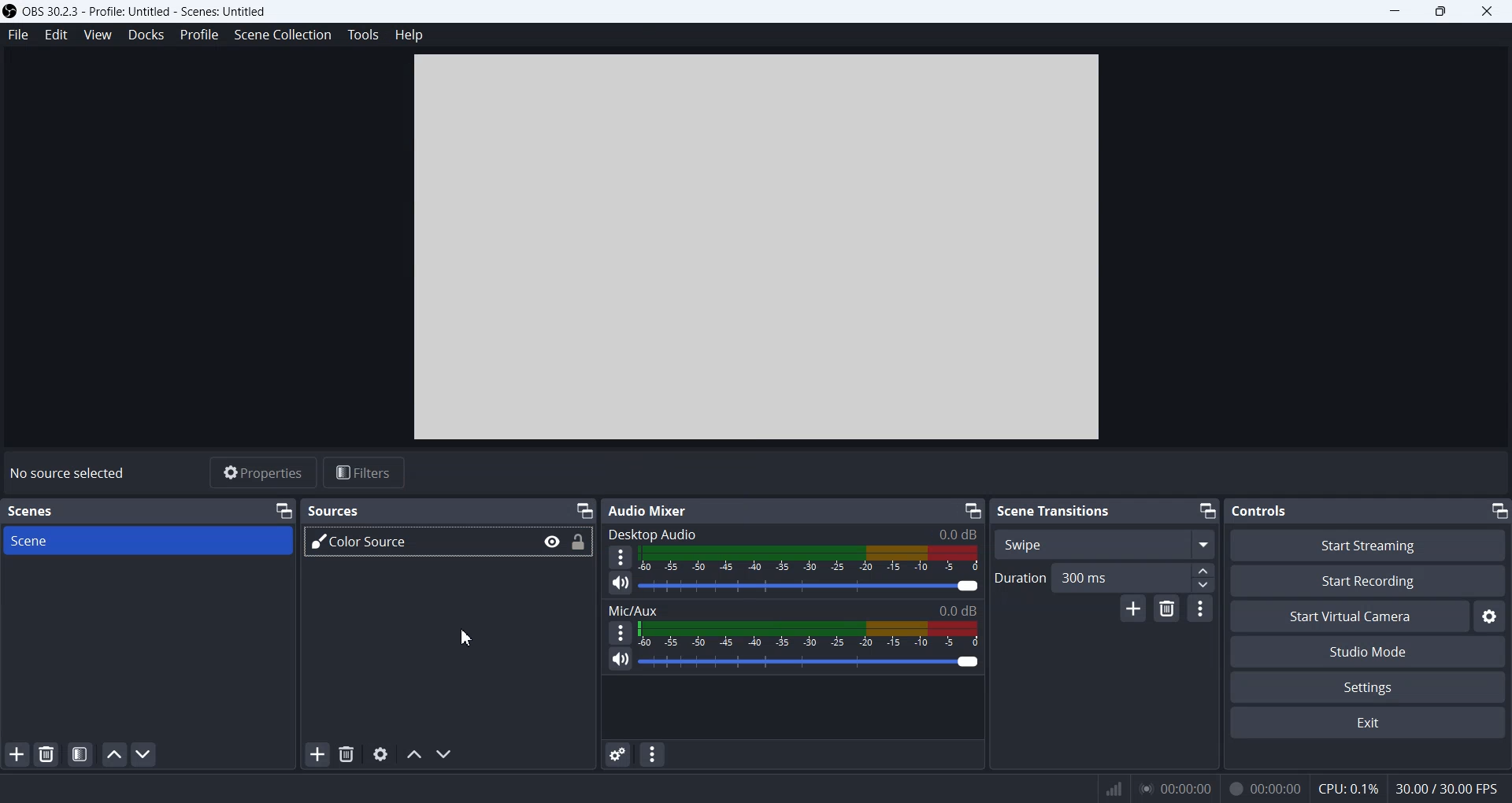 Image resolution: width=1512 pixels, height=803 pixels. What do you see at coordinates (17, 753) in the screenshot?
I see `Add Scene` at bounding box center [17, 753].